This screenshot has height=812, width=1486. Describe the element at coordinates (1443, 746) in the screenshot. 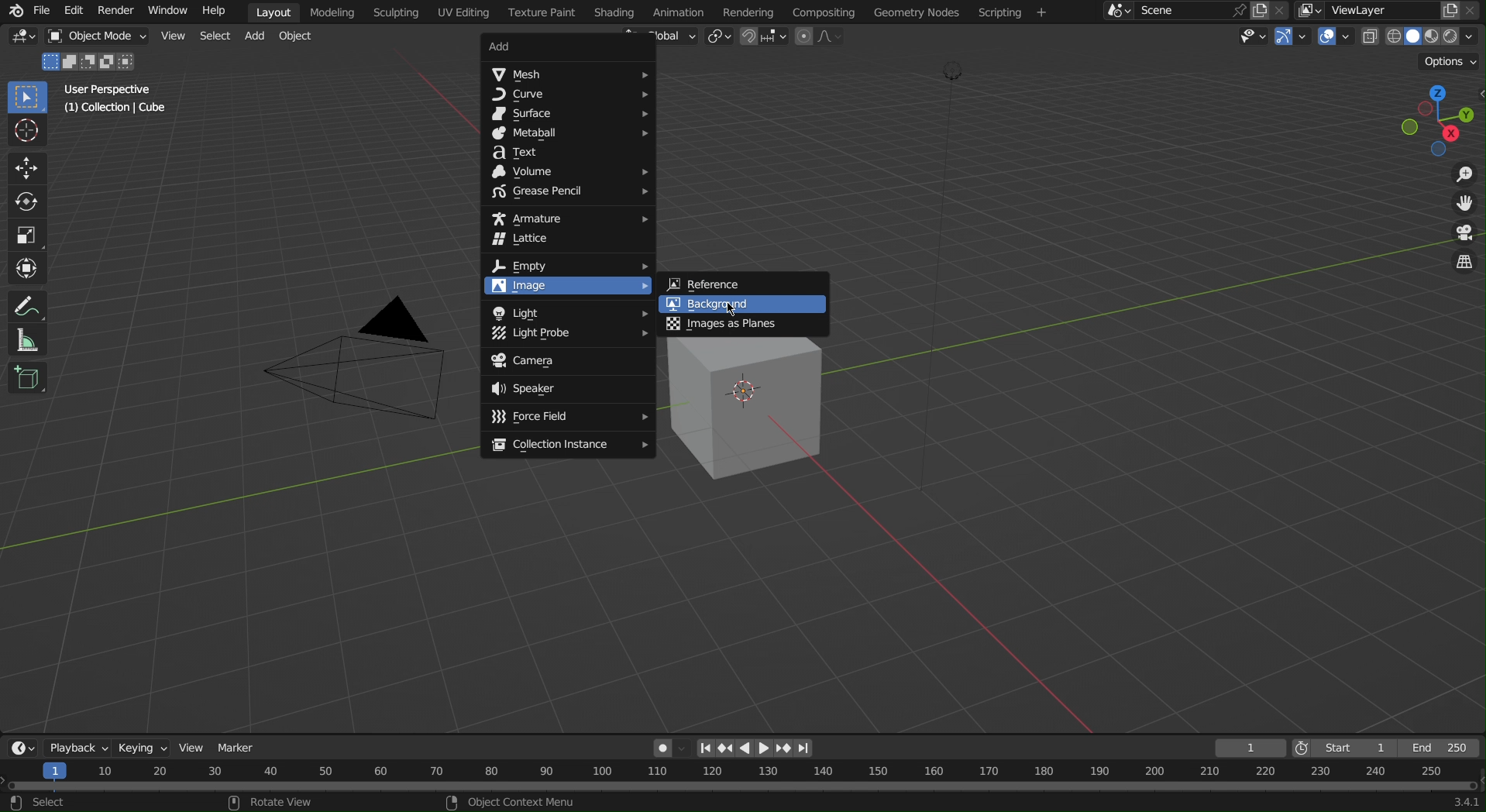

I see `End 250` at that location.